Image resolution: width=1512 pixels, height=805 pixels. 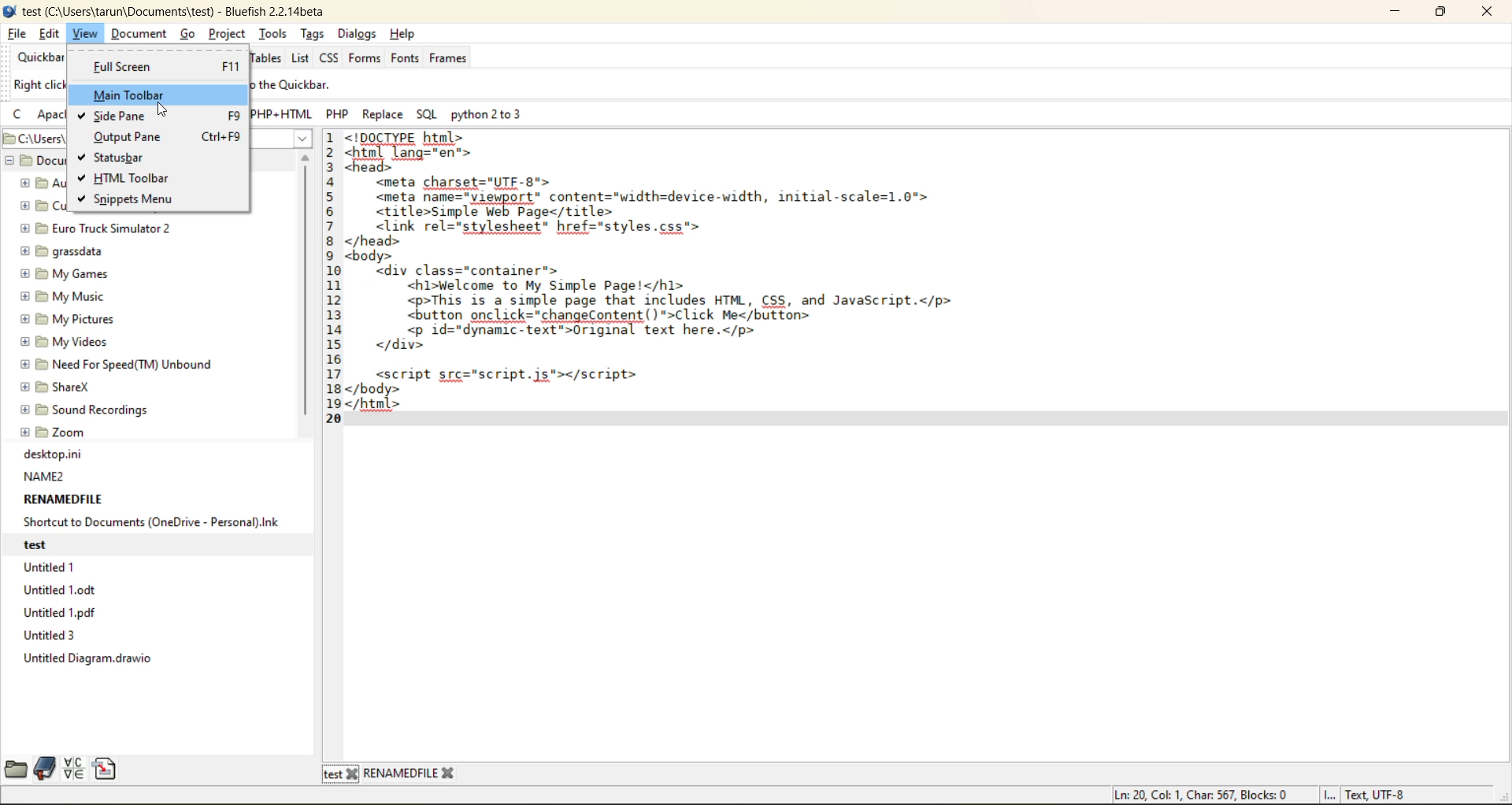 What do you see at coordinates (107, 769) in the screenshot?
I see `snippets` at bounding box center [107, 769].